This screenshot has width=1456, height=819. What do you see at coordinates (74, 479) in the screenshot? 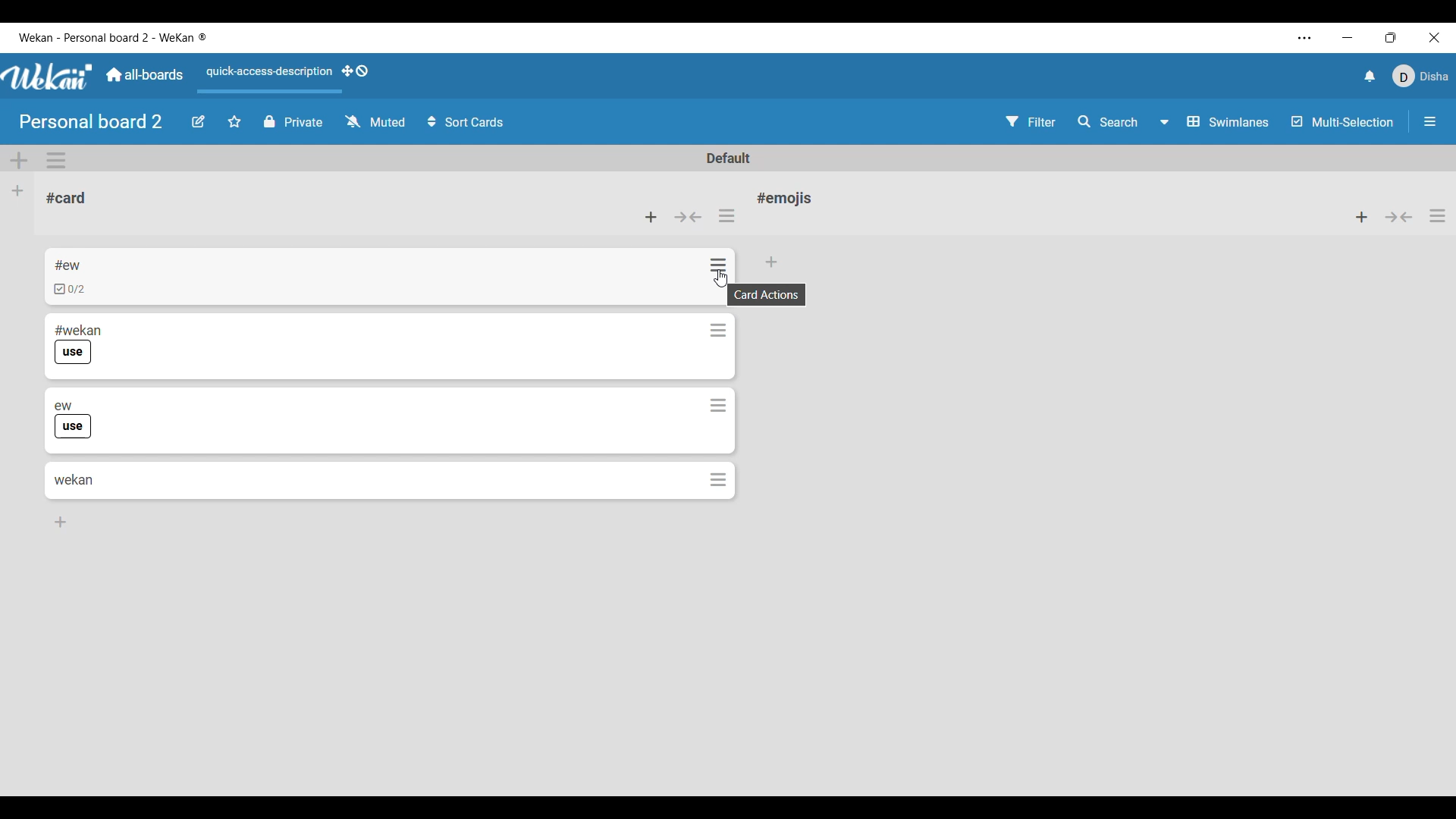
I see `Card 4` at bounding box center [74, 479].